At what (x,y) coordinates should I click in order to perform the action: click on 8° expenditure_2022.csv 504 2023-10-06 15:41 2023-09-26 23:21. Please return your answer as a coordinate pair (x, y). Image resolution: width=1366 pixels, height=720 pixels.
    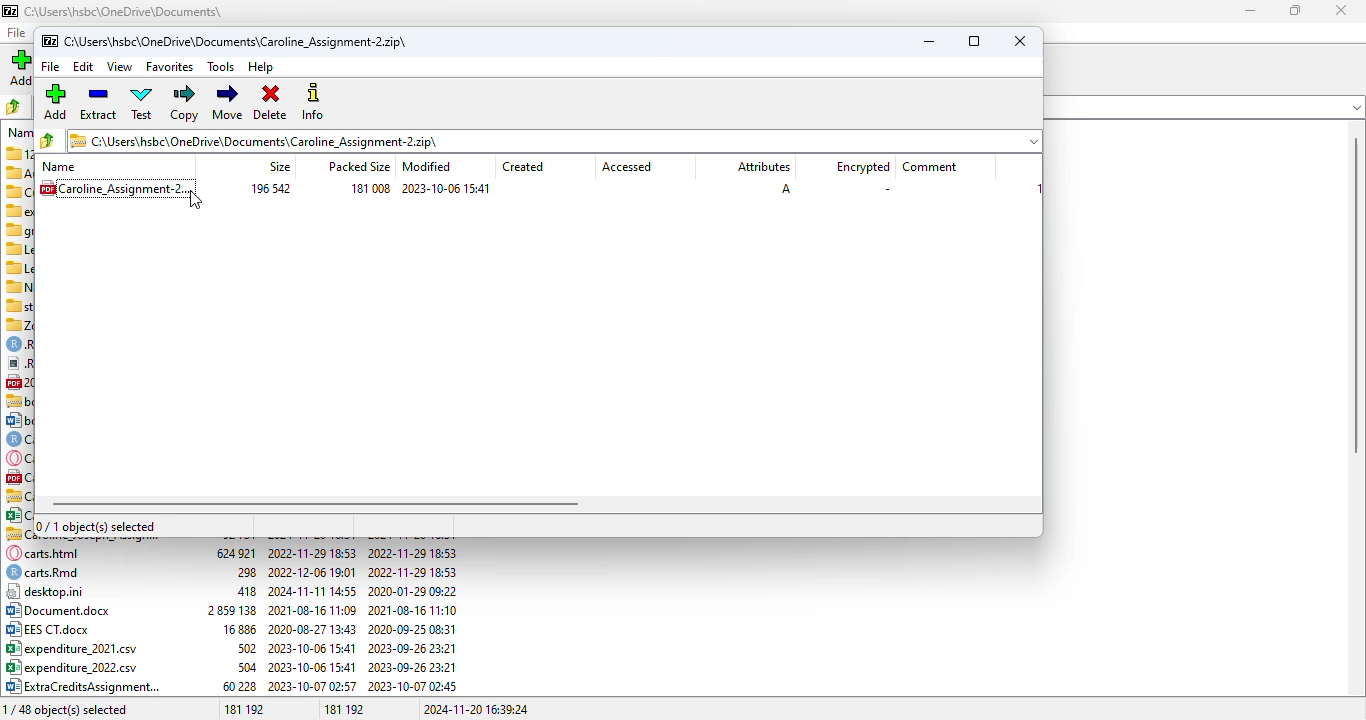
    Looking at the image, I should click on (231, 667).